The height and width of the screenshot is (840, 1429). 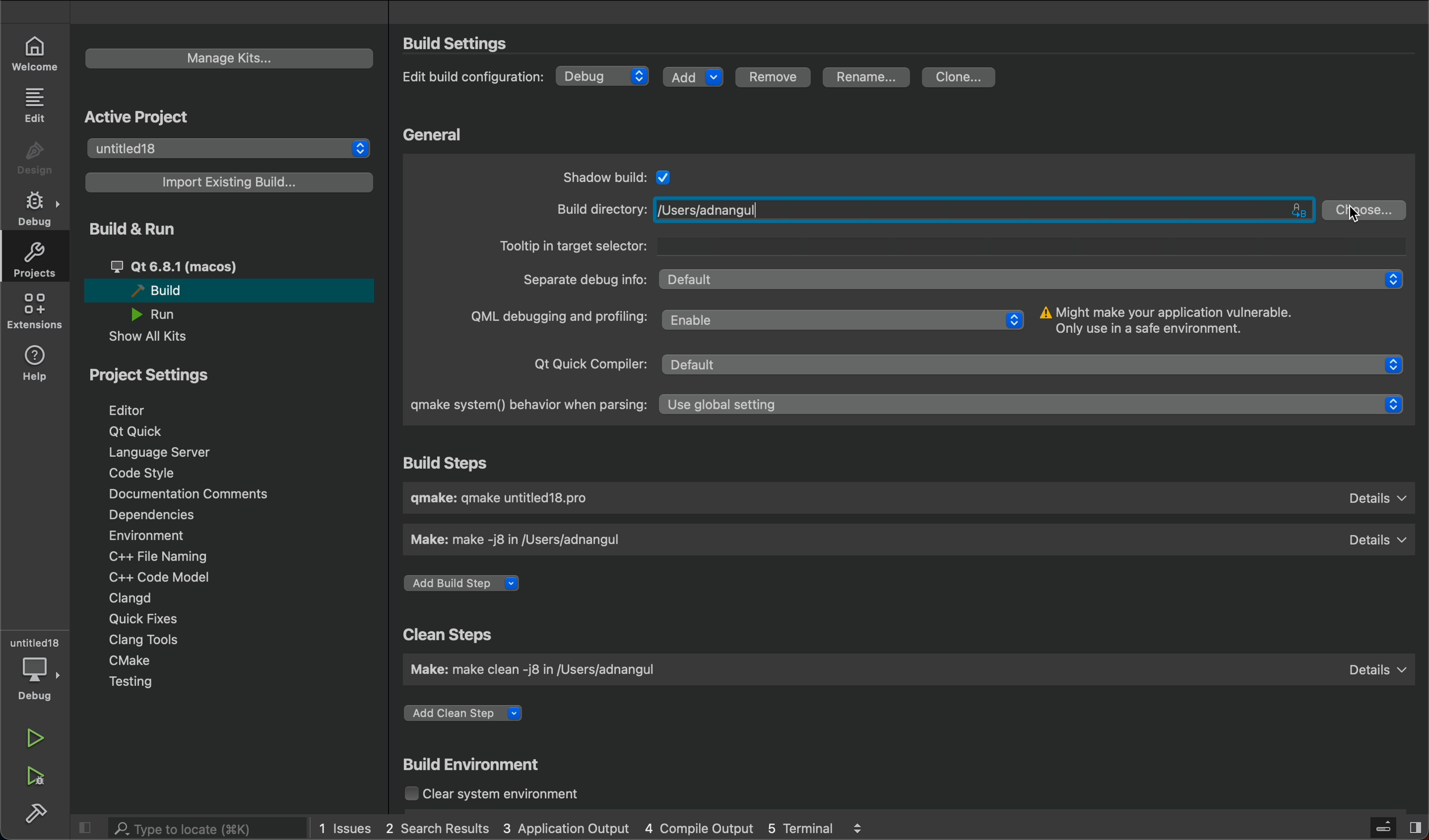 I want to click on Separate debug info:, so click(x=583, y=278).